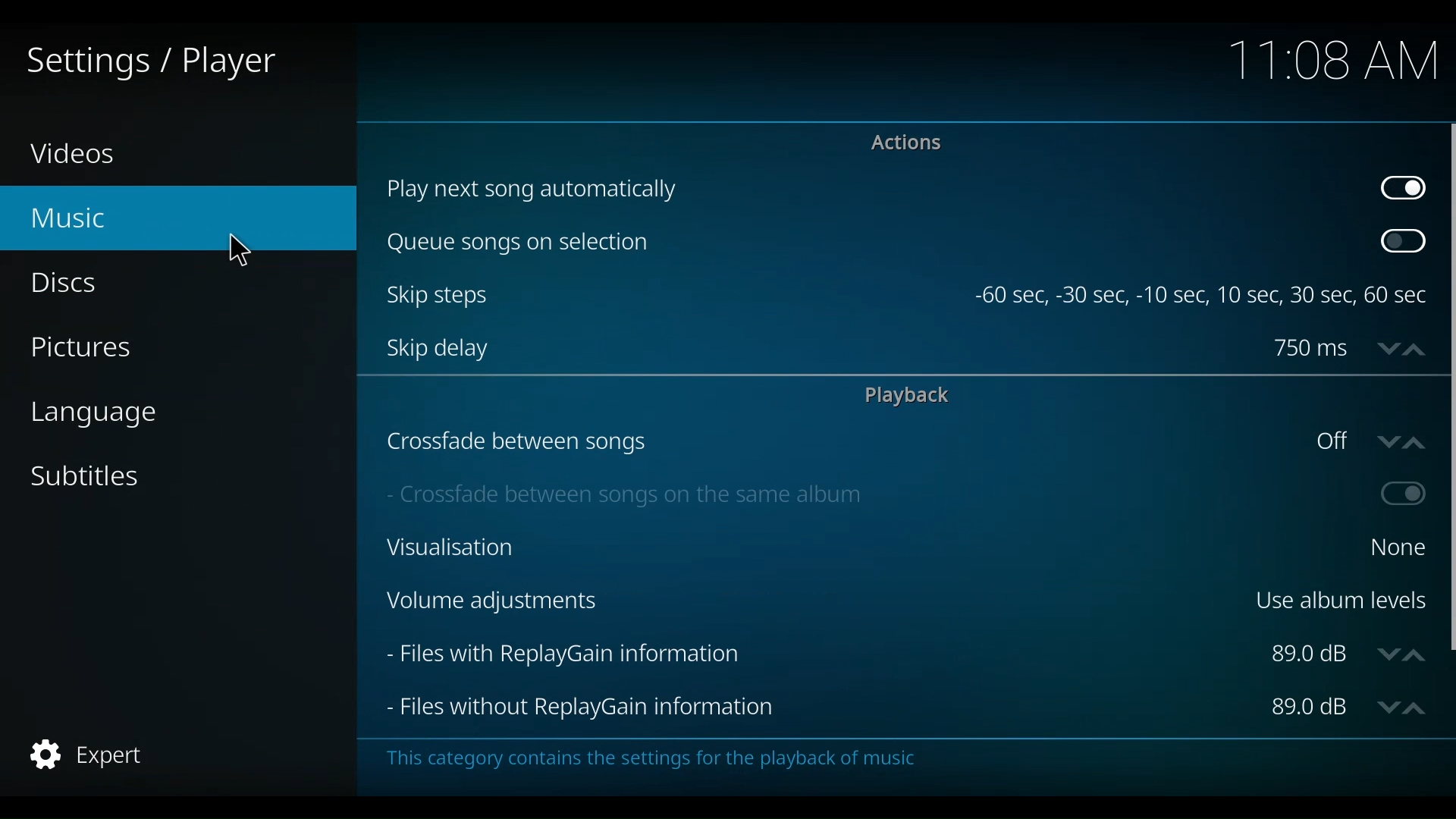 The height and width of the screenshot is (819, 1456). Describe the element at coordinates (1399, 494) in the screenshot. I see `Toggle on/off crossfaed between songs on the same album` at that location.